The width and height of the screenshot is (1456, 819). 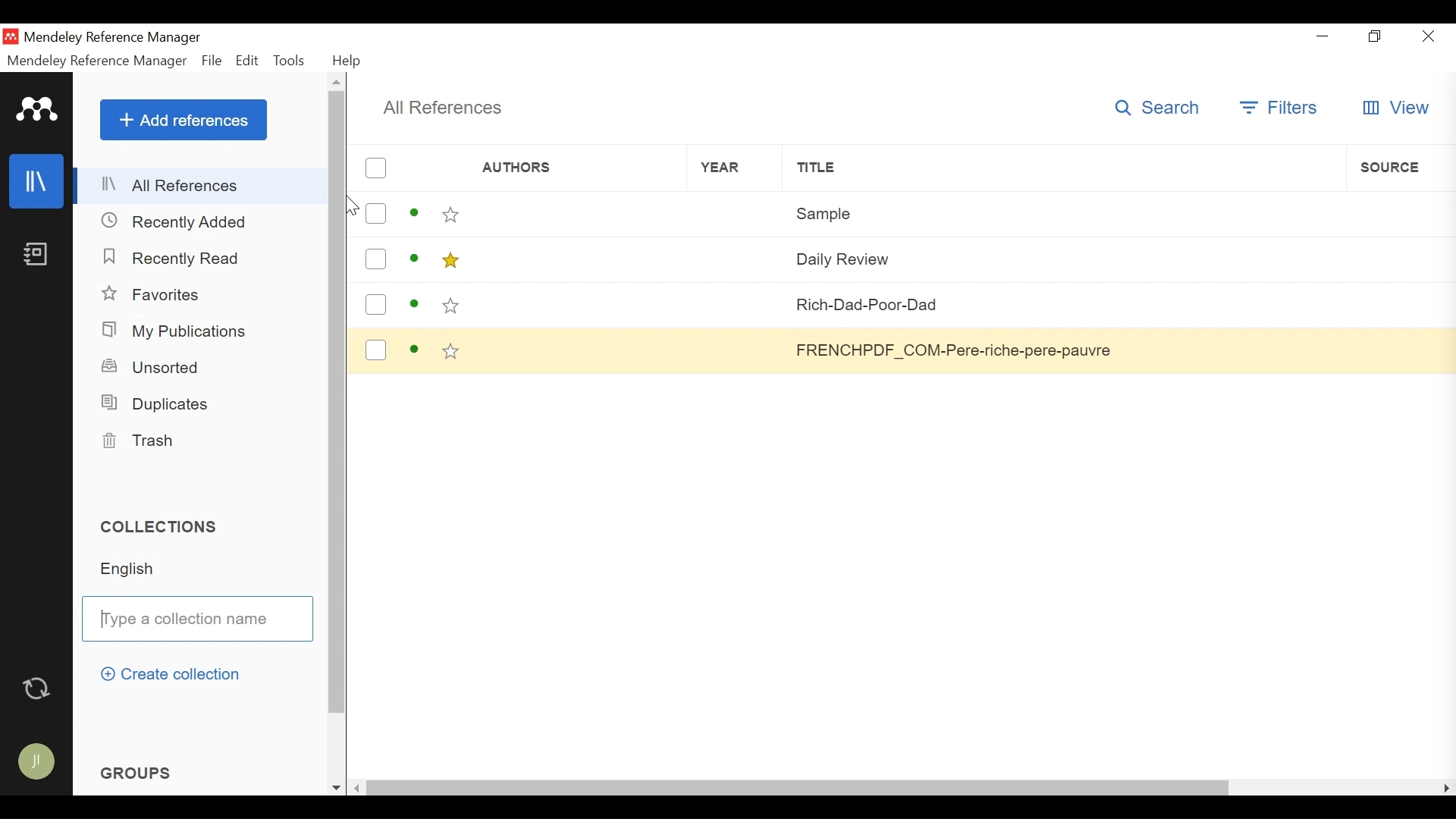 I want to click on File, so click(x=212, y=61).